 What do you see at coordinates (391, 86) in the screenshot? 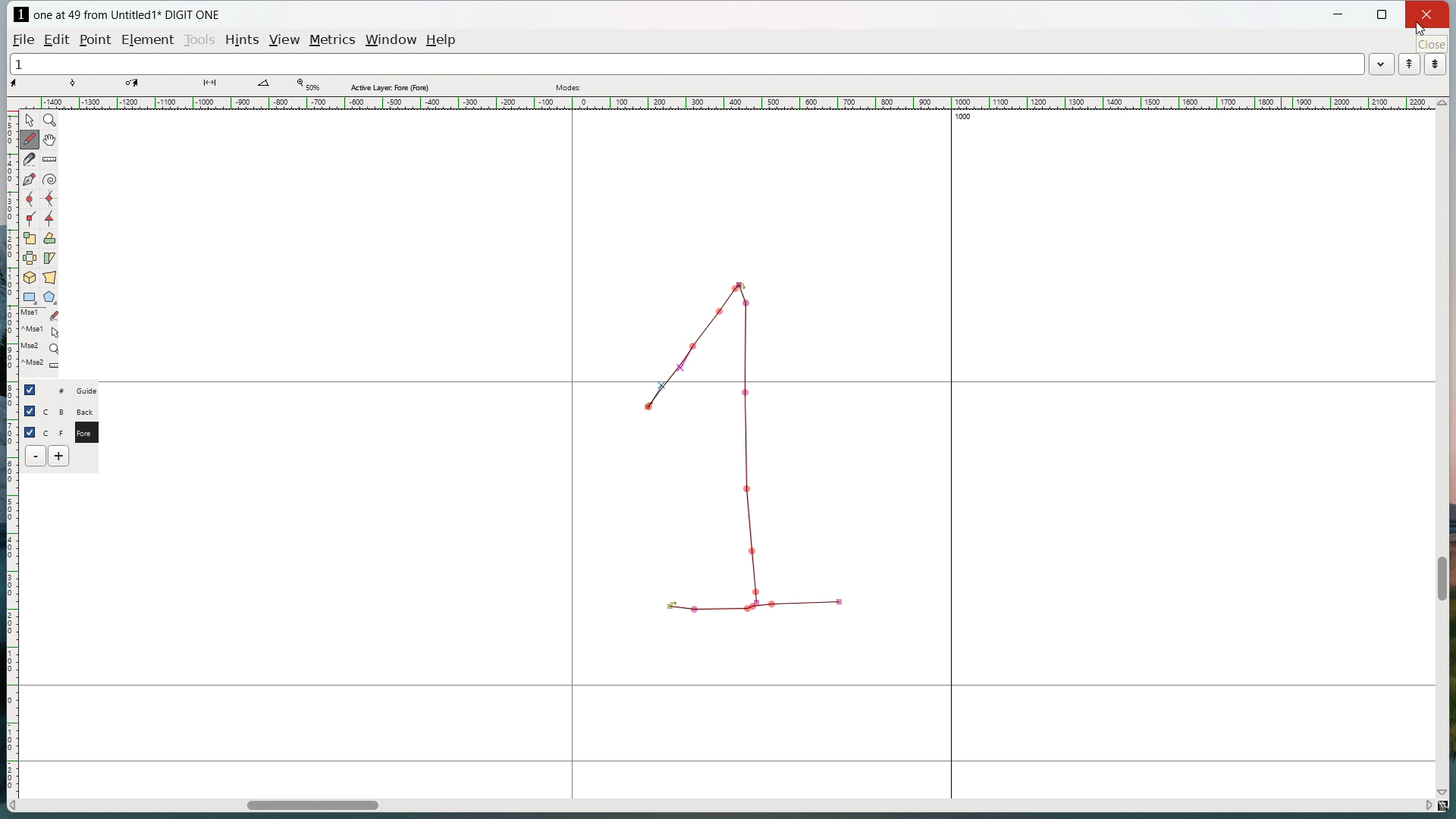
I see `Active layer fore` at bounding box center [391, 86].